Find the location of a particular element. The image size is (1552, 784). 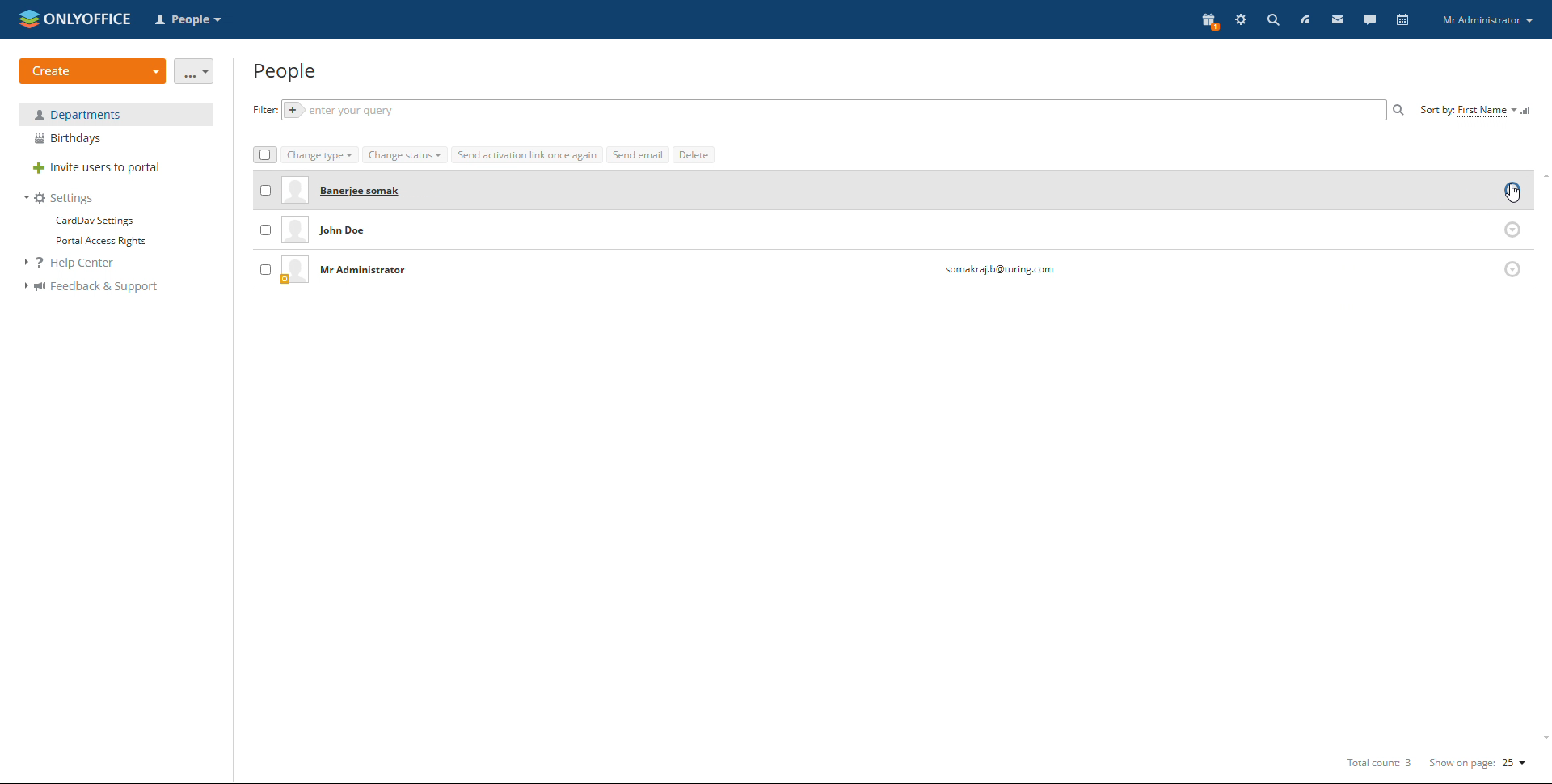

logo is located at coordinates (75, 18).